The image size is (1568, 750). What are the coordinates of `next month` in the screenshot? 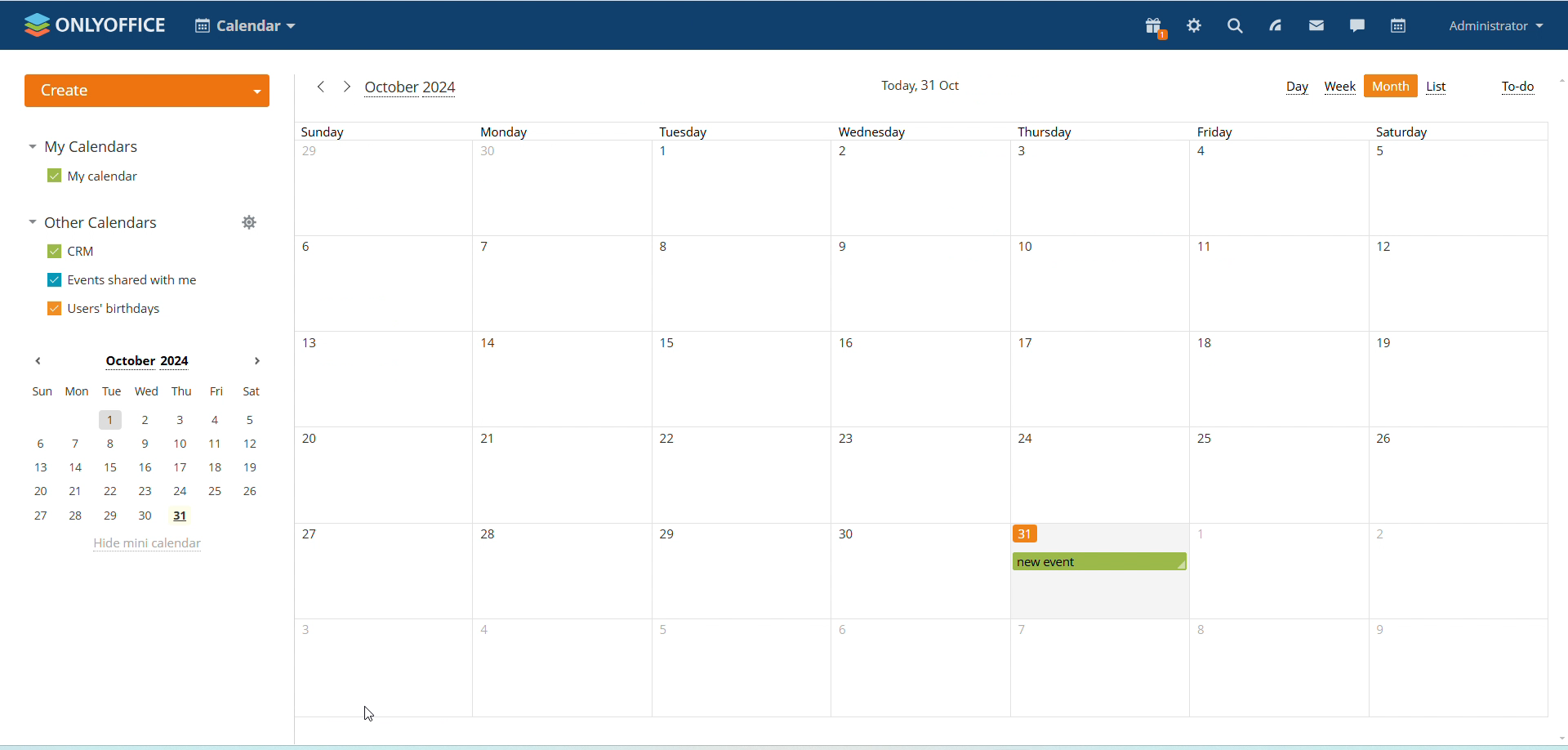 It's located at (256, 362).